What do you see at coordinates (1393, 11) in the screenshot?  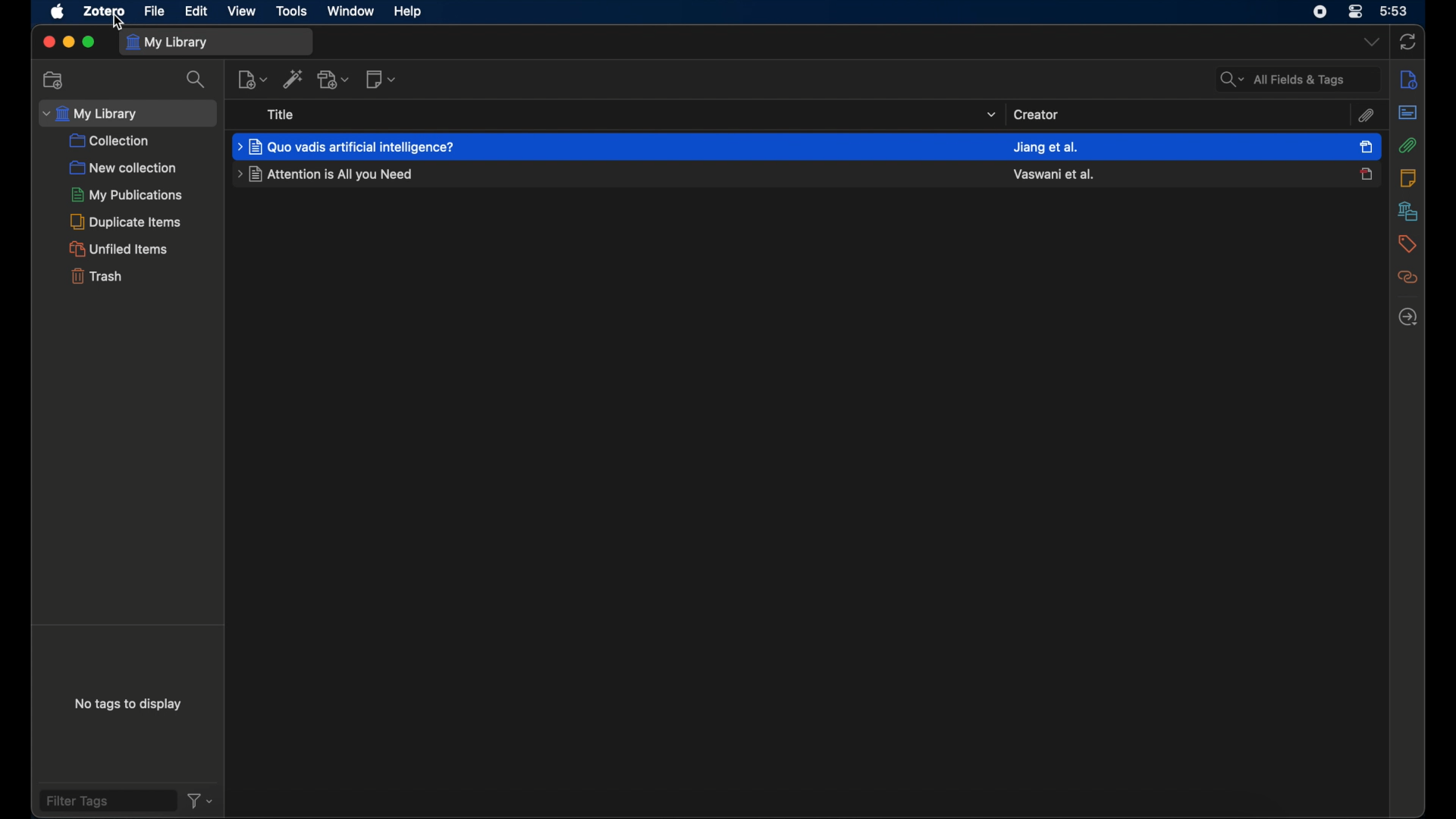 I see `time` at bounding box center [1393, 11].